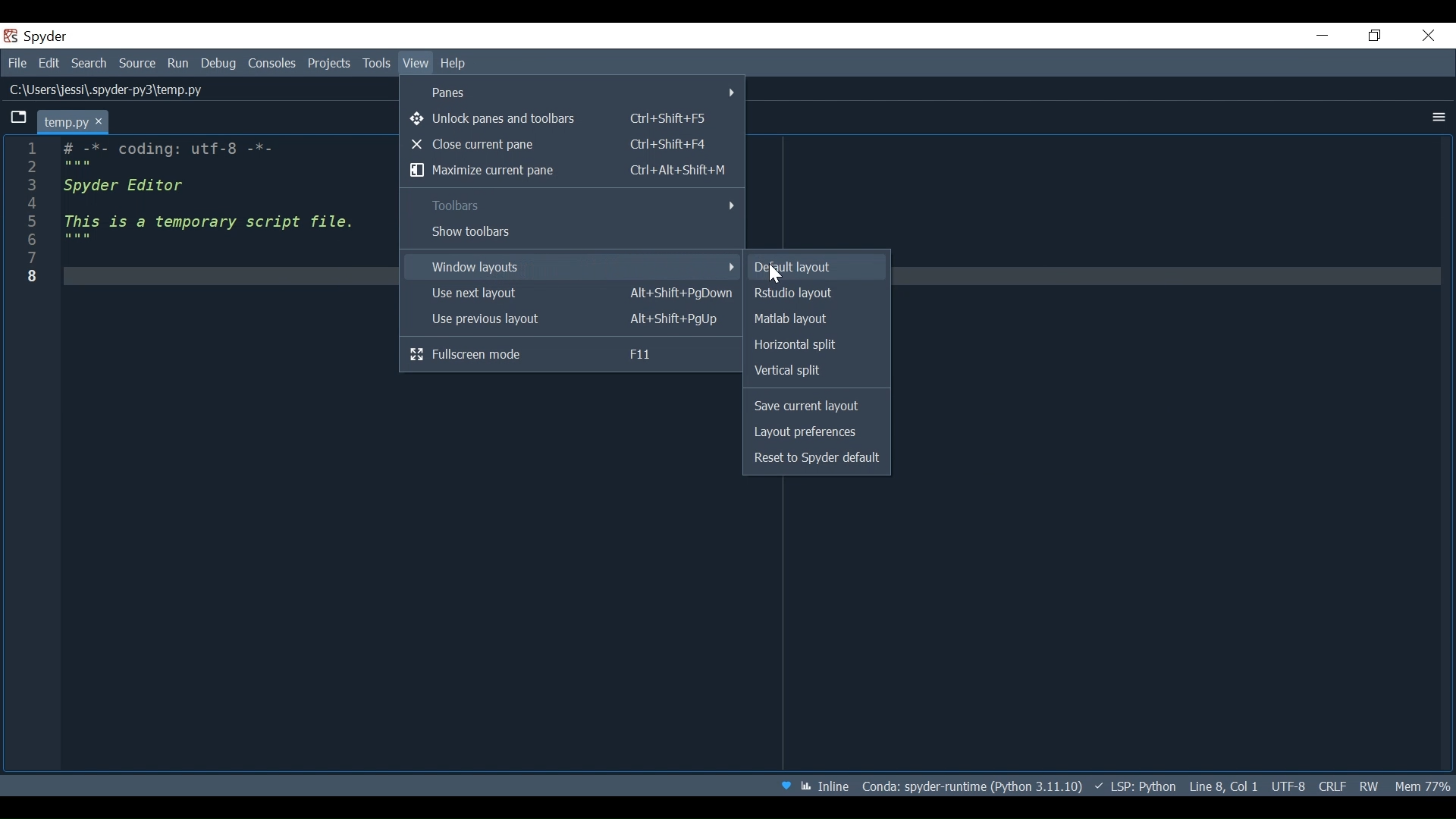  Describe the element at coordinates (573, 171) in the screenshot. I see `Maximize current pane` at that location.